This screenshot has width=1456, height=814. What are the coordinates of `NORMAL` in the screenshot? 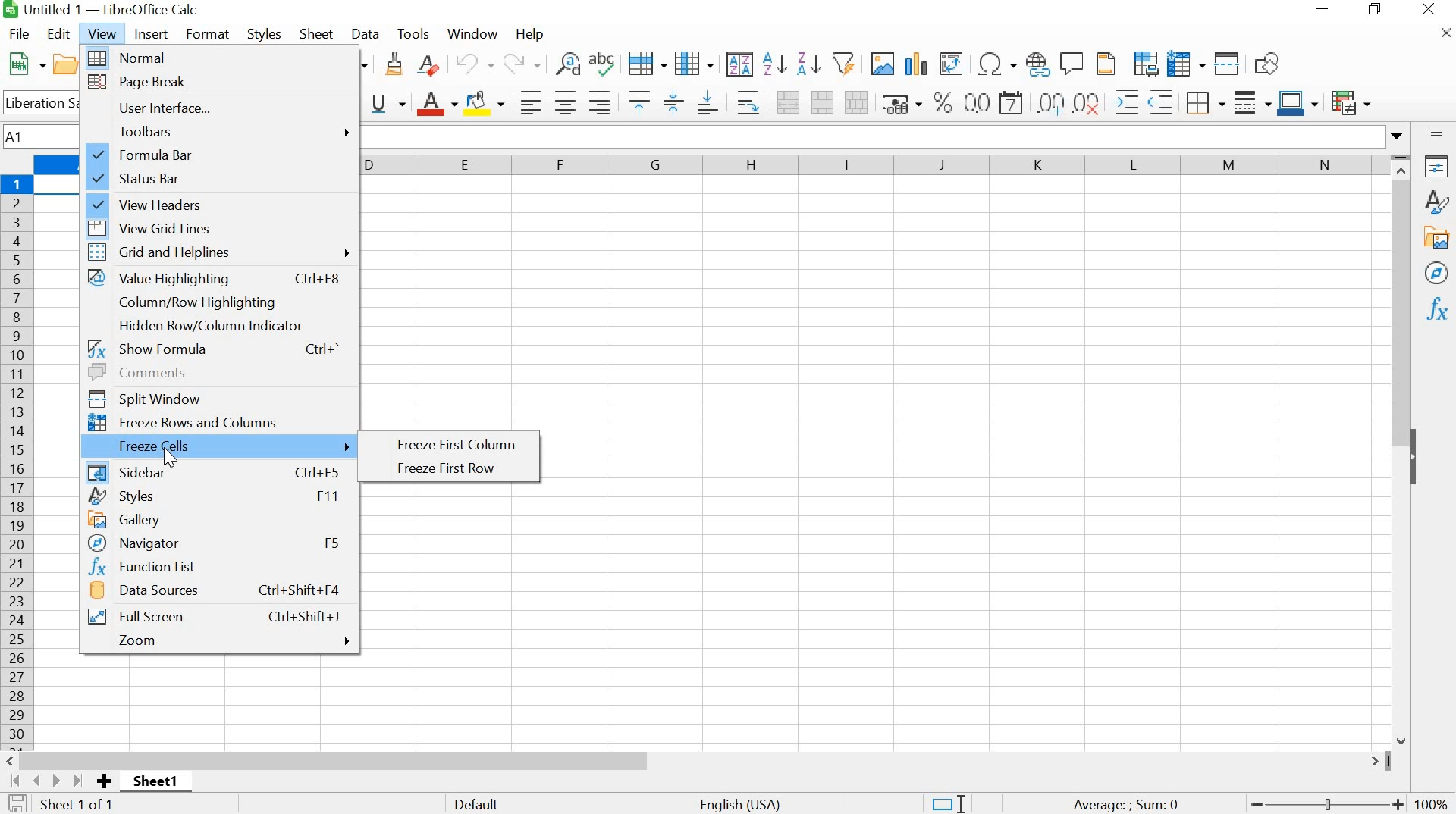 It's located at (222, 58).